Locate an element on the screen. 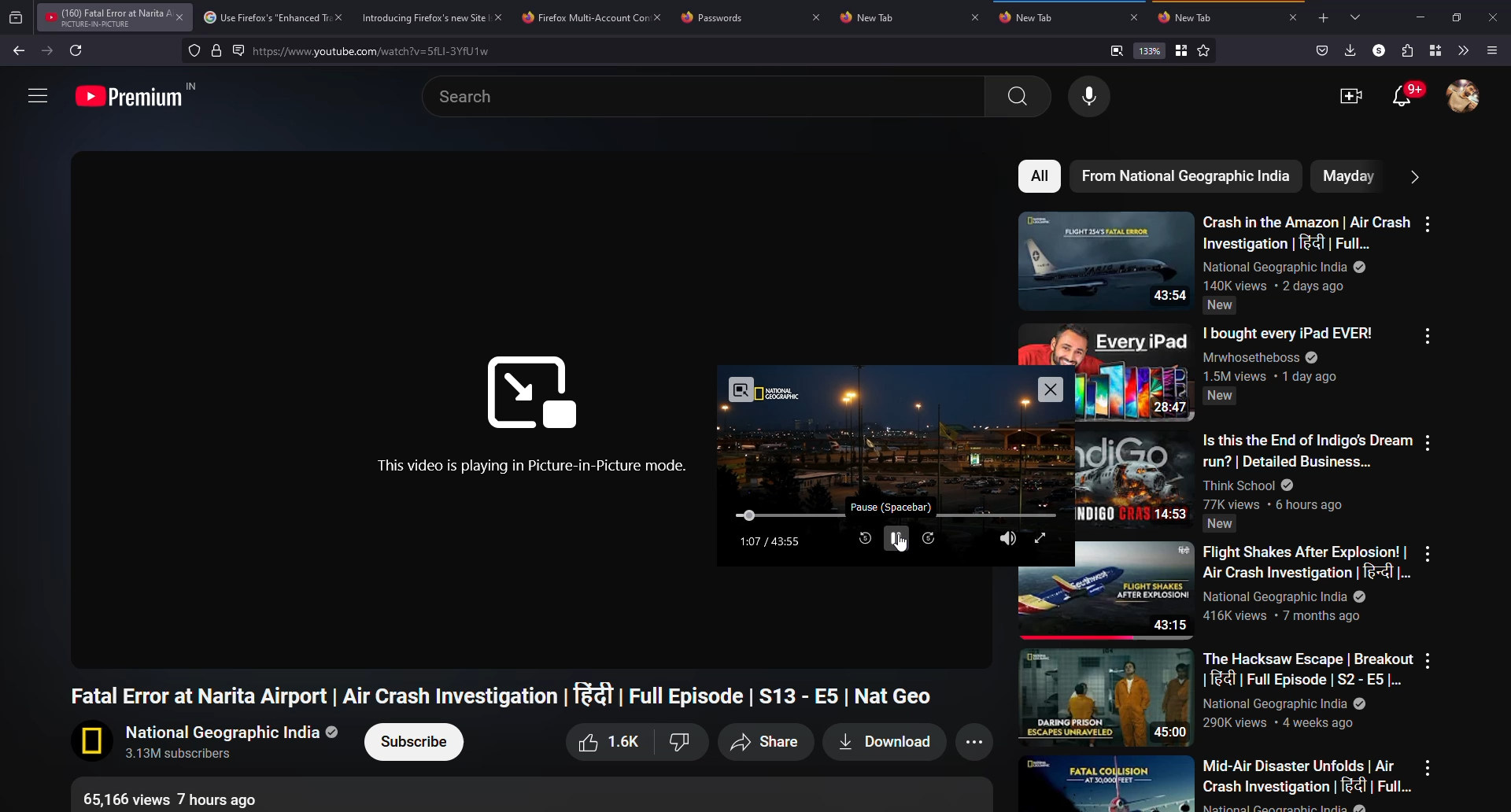 This screenshot has width=1511, height=812. refresh is located at coordinates (77, 50).